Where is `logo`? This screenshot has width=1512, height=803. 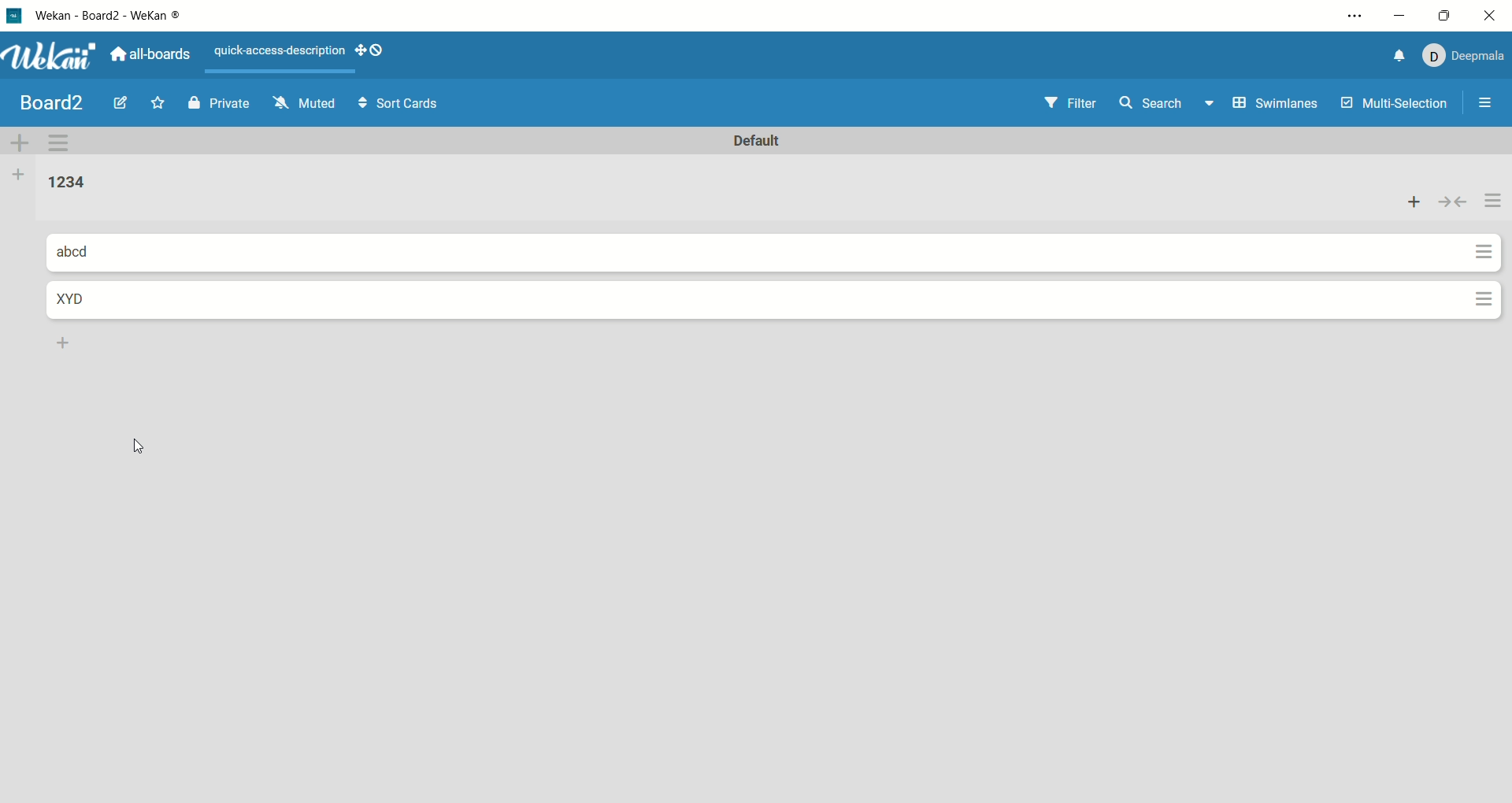 logo is located at coordinates (17, 13).